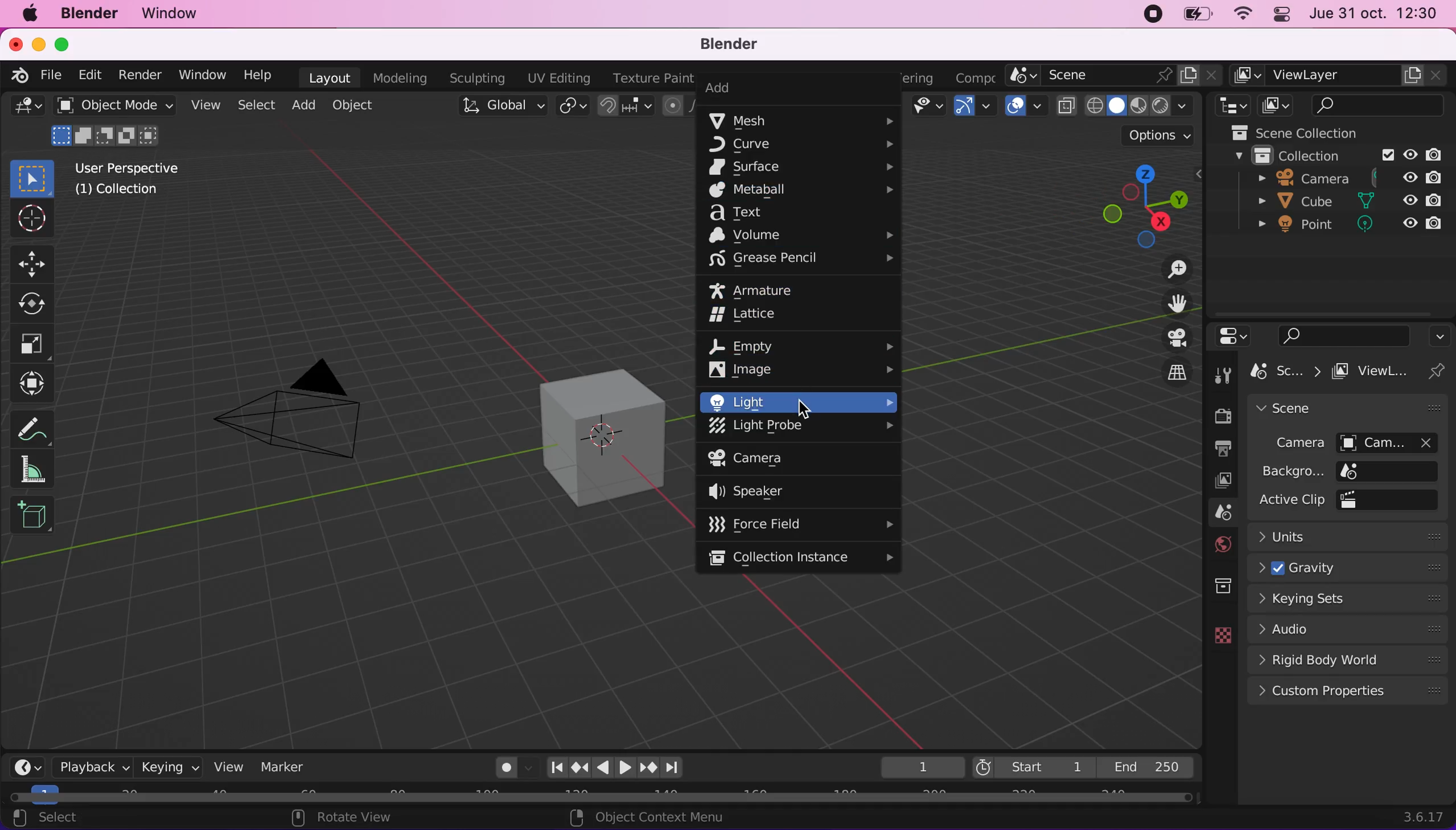  What do you see at coordinates (789, 213) in the screenshot?
I see `text` at bounding box center [789, 213].